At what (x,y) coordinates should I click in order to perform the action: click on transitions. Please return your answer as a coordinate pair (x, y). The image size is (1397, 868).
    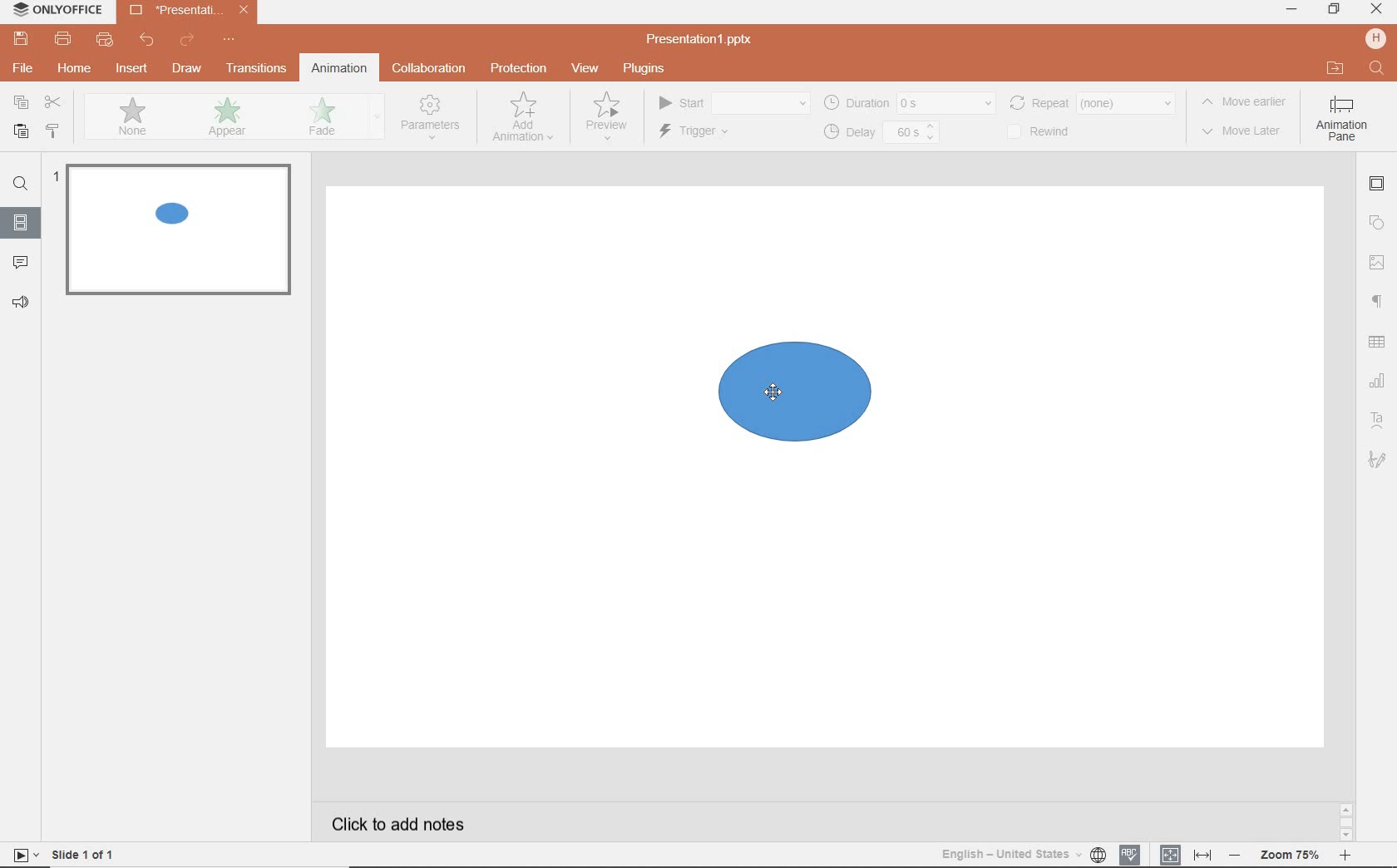
    Looking at the image, I should click on (256, 70).